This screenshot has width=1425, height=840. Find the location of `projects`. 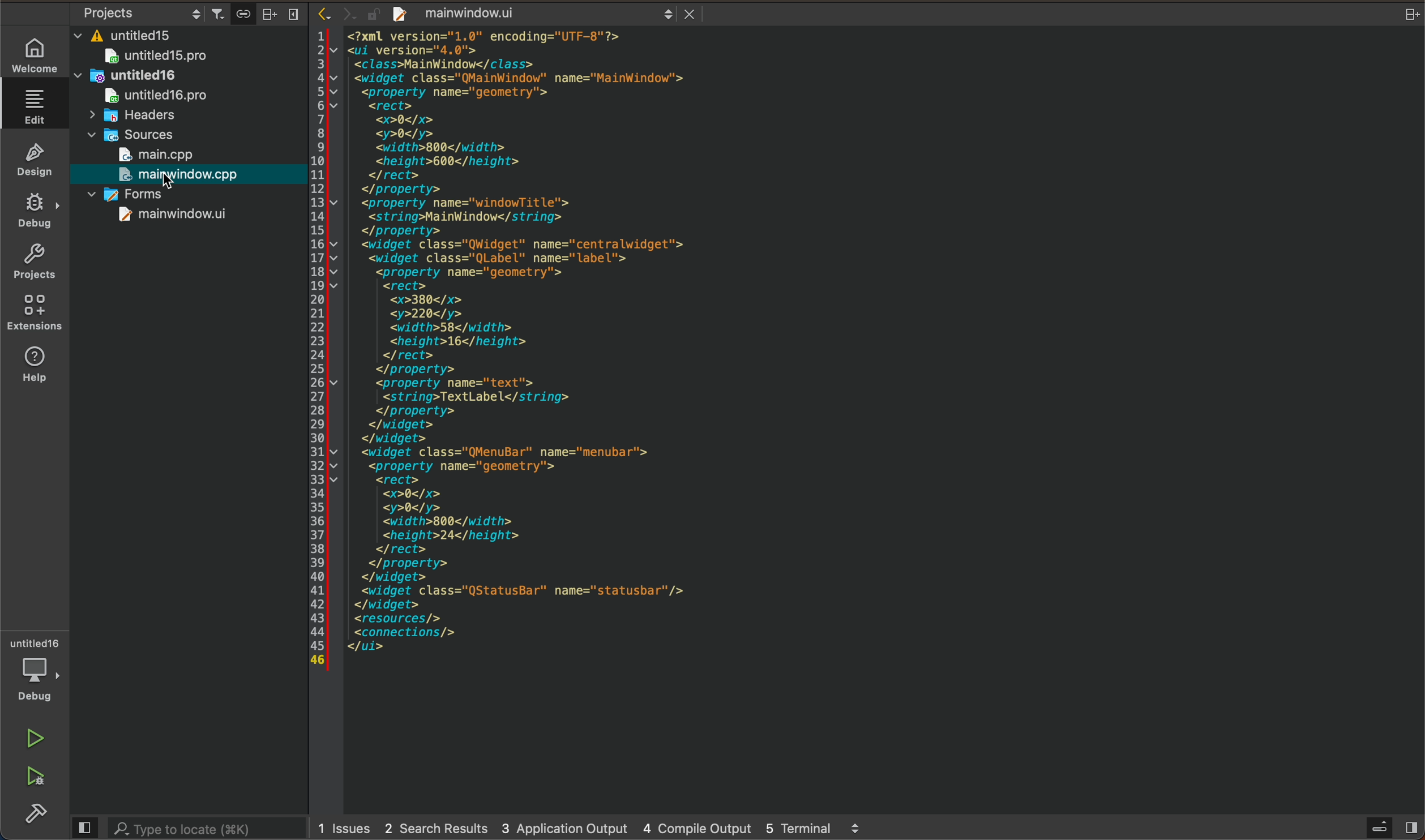

projects is located at coordinates (34, 263).